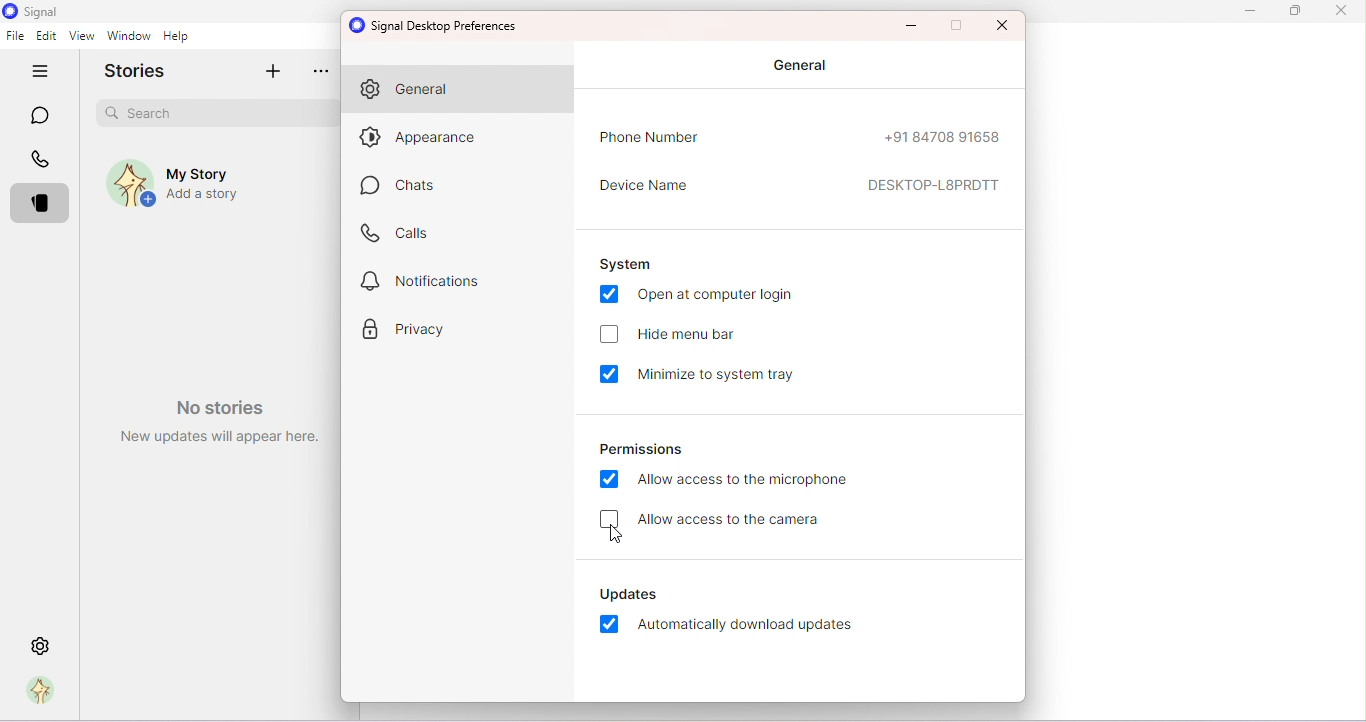 The width and height of the screenshot is (1366, 722). What do you see at coordinates (678, 334) in the screenshot?
I see `Hide menu bar` at bounding box center [678, 334].